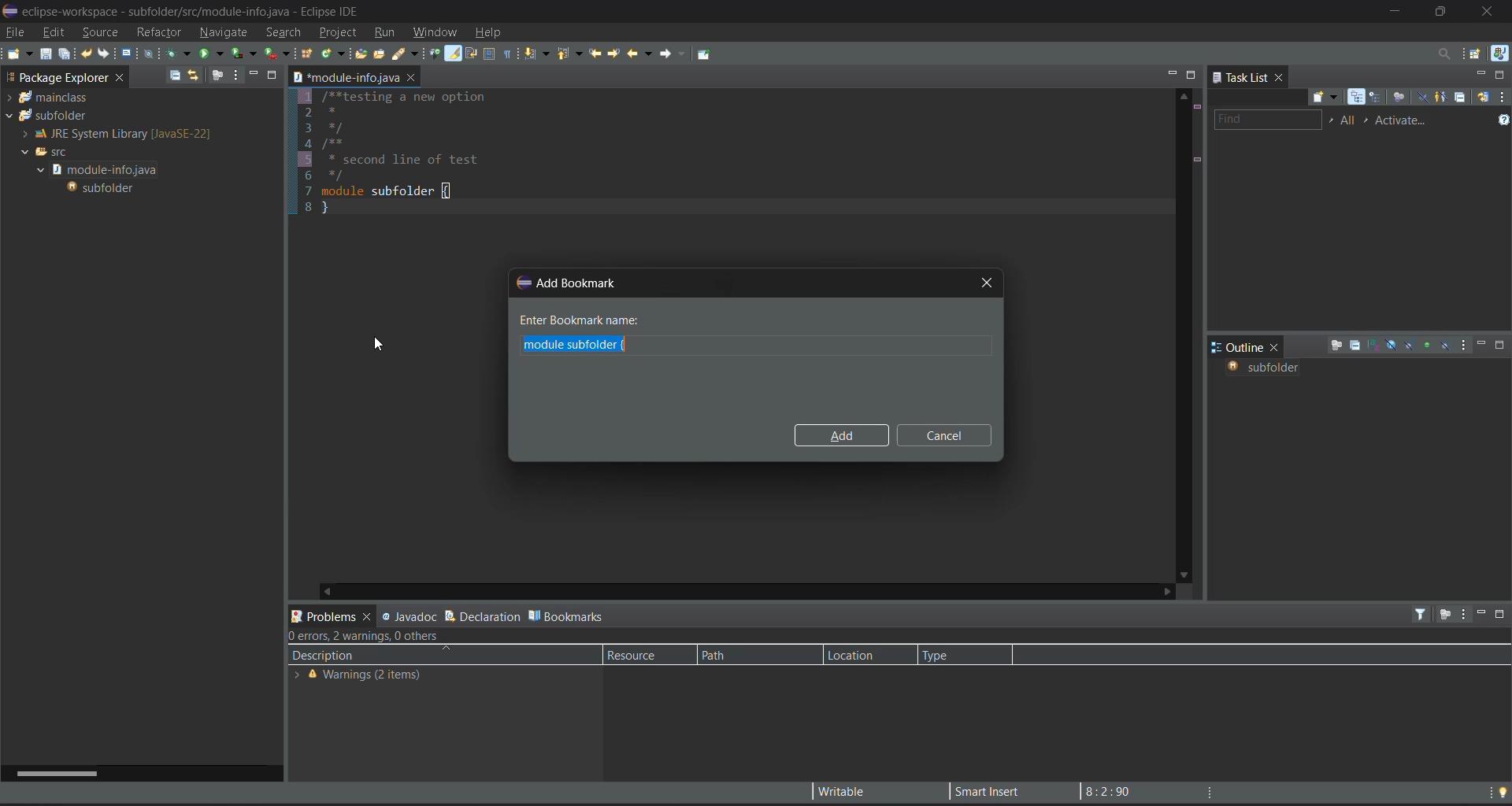 This screenshot has height=806, width=1512. What do you see at coordinates (178, 54) in the screenshot?
I see `debug` at bounding box center [178, 54].